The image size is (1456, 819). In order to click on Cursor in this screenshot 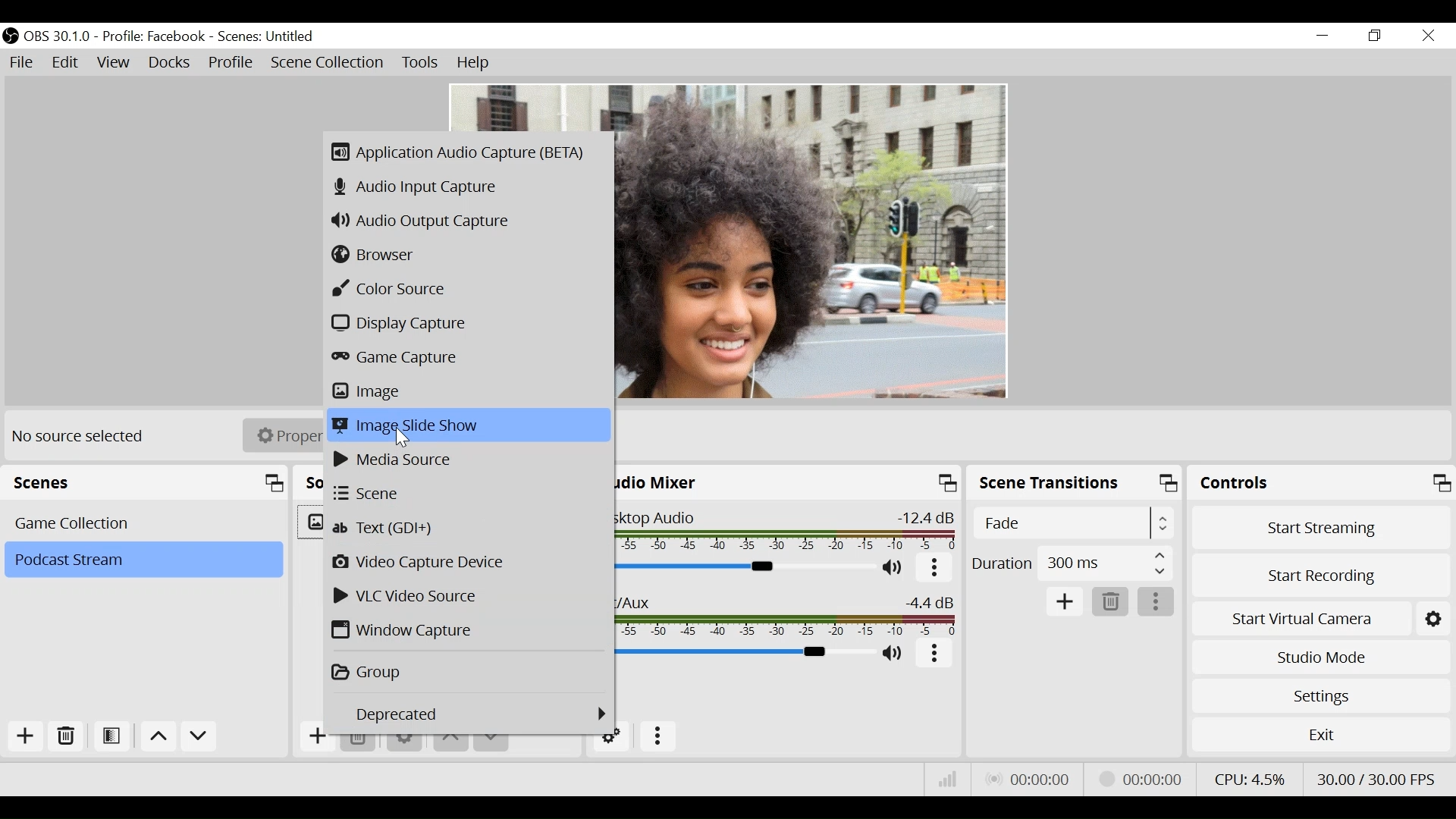, I will do `click(403, 437)`.